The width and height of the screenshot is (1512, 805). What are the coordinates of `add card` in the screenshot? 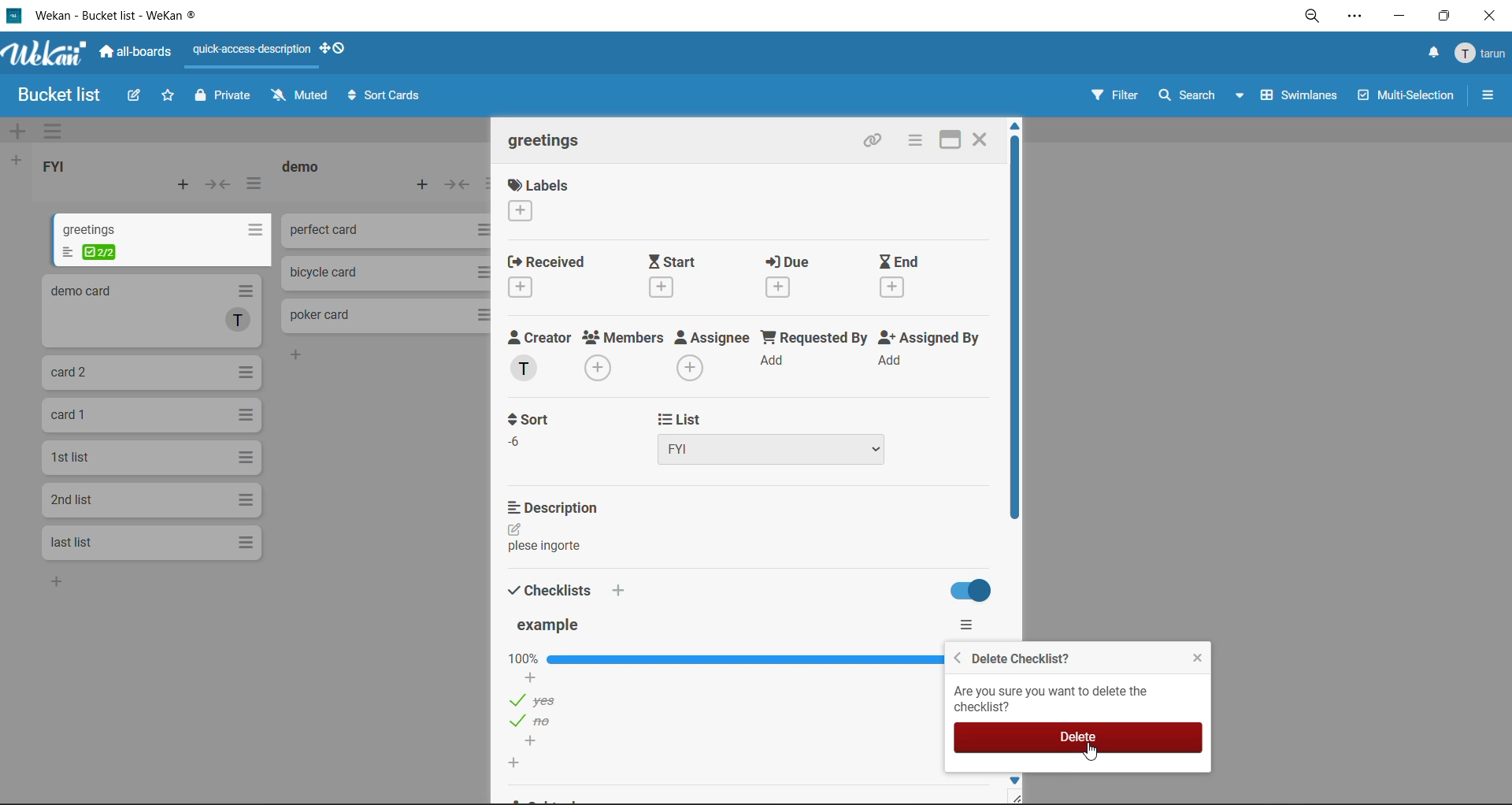 It's located at (188, 186).